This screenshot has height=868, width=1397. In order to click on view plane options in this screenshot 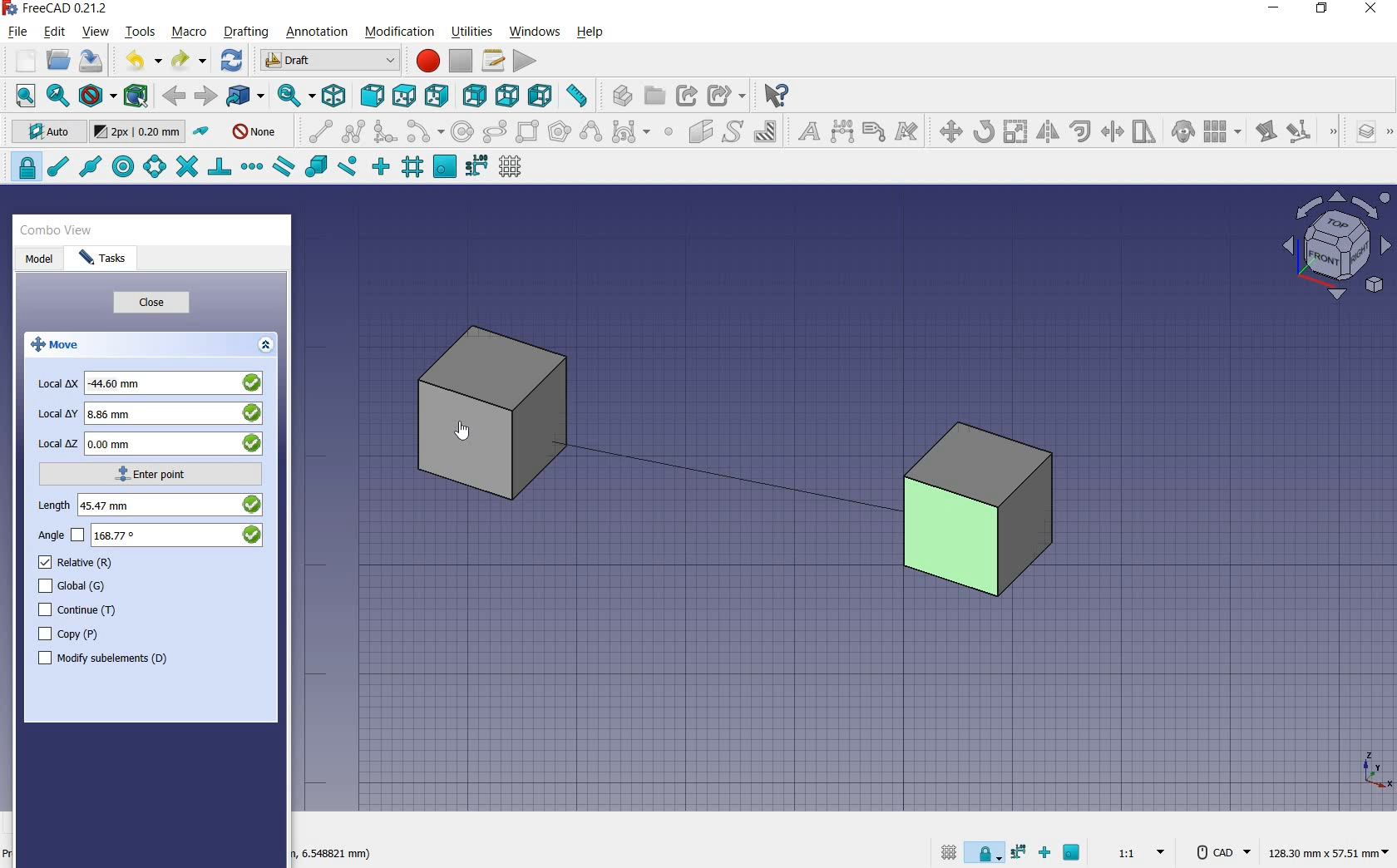, I will do `click(1335, 245)`.